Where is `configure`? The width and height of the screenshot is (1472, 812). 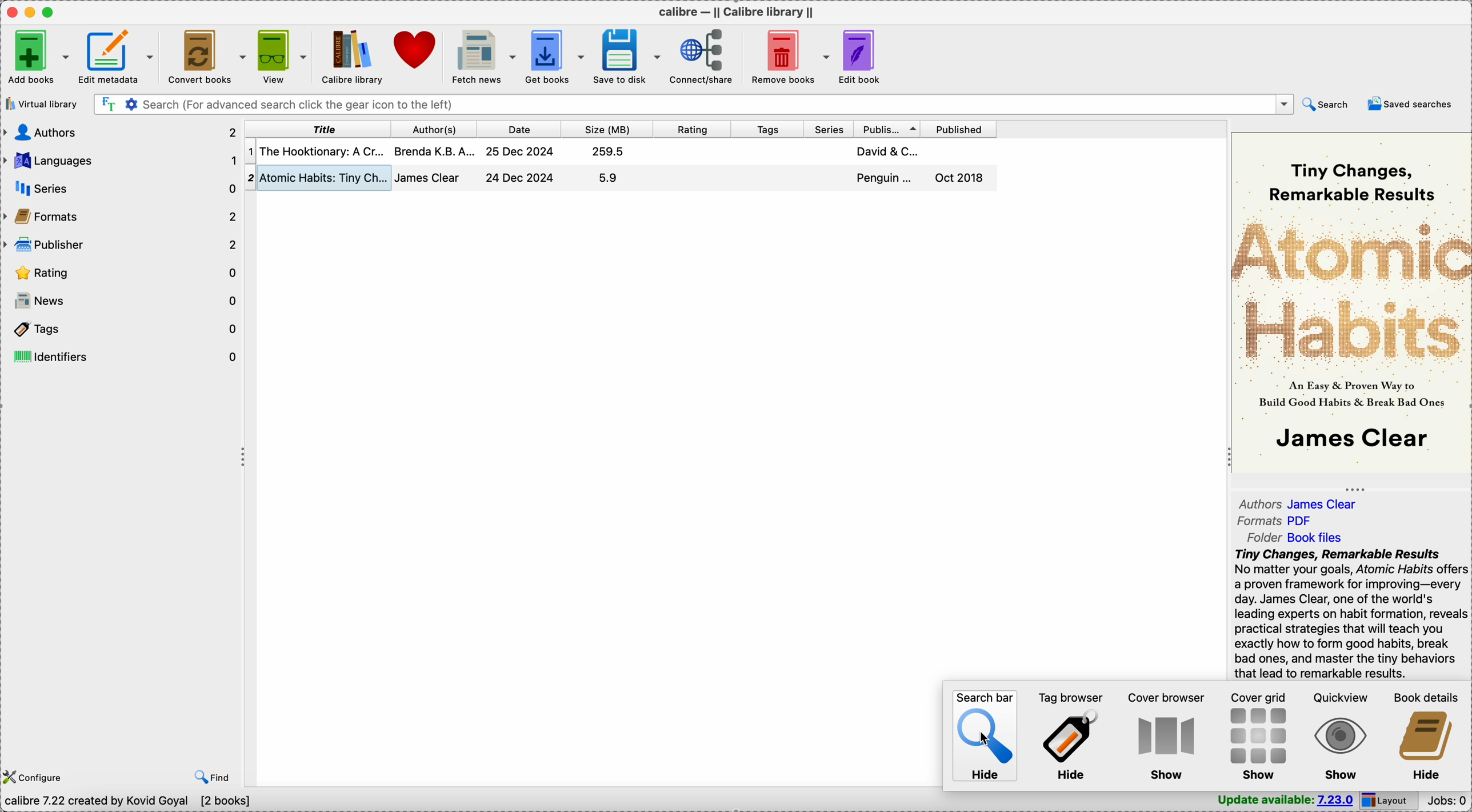 configure is located at coordinates (35, 777).